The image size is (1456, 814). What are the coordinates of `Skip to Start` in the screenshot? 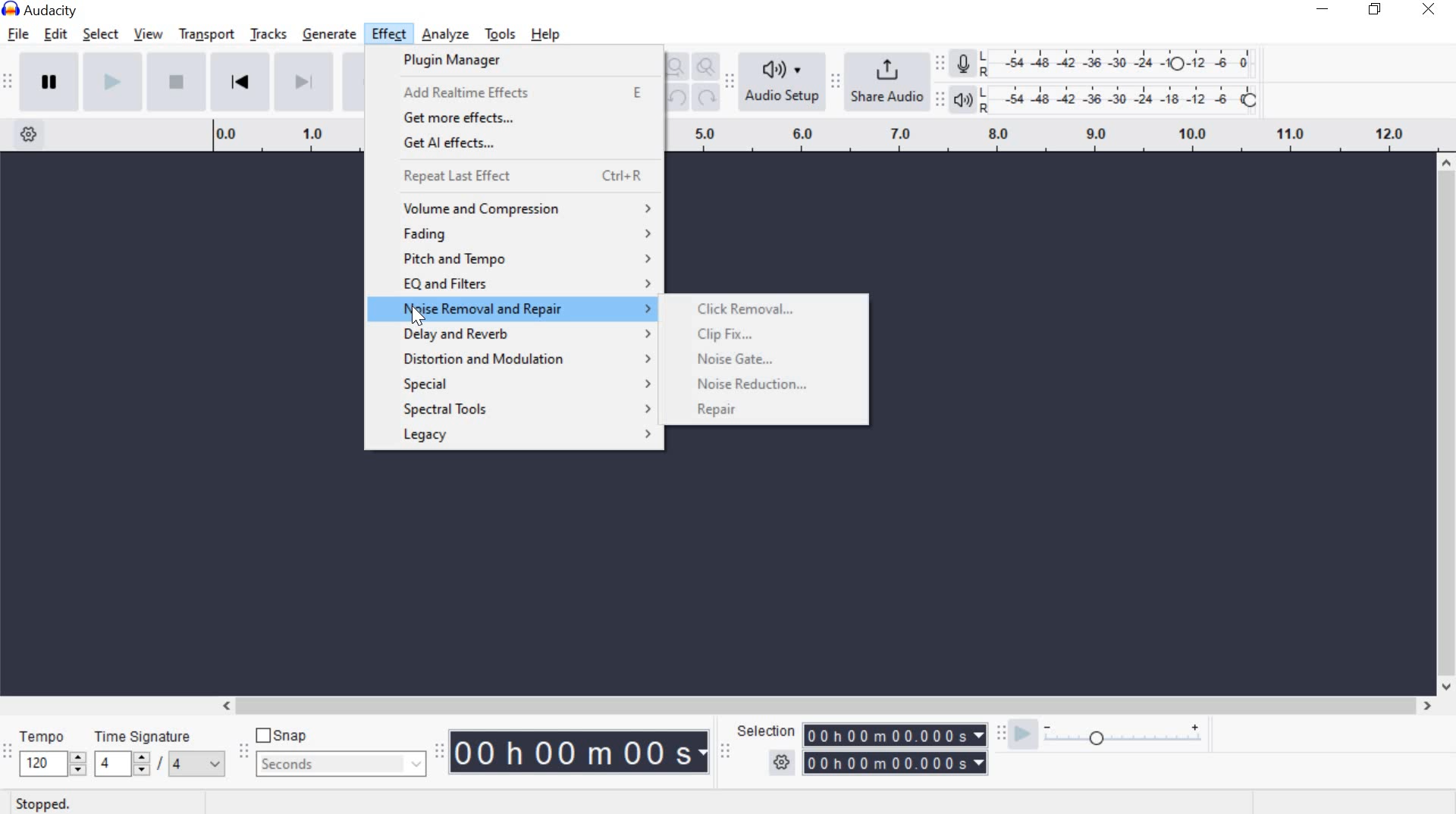 It's located at (242, 83).